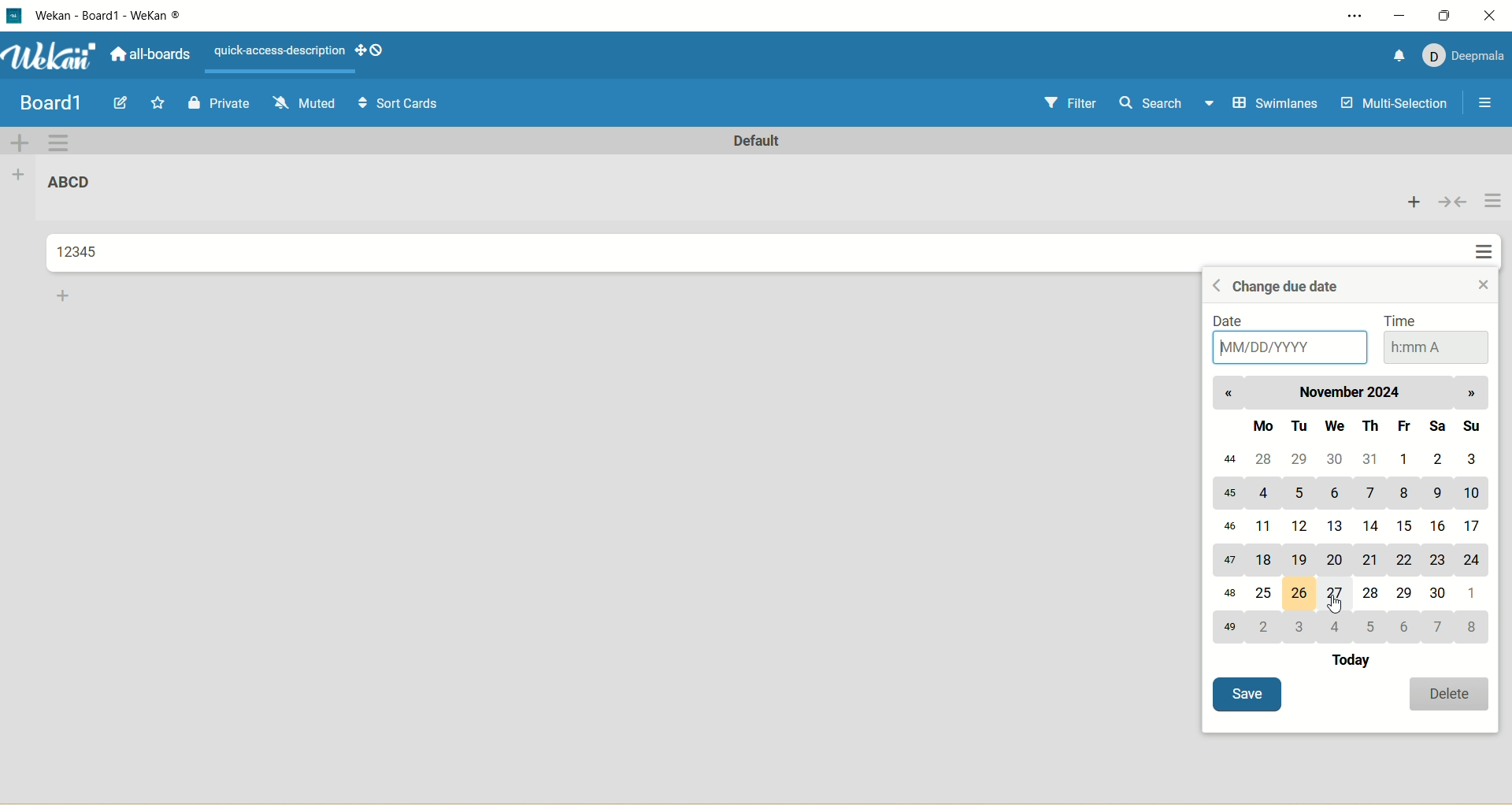  Describe the element at coordinates (1454, 202) in the screenshot. I see `collapse` at that location.